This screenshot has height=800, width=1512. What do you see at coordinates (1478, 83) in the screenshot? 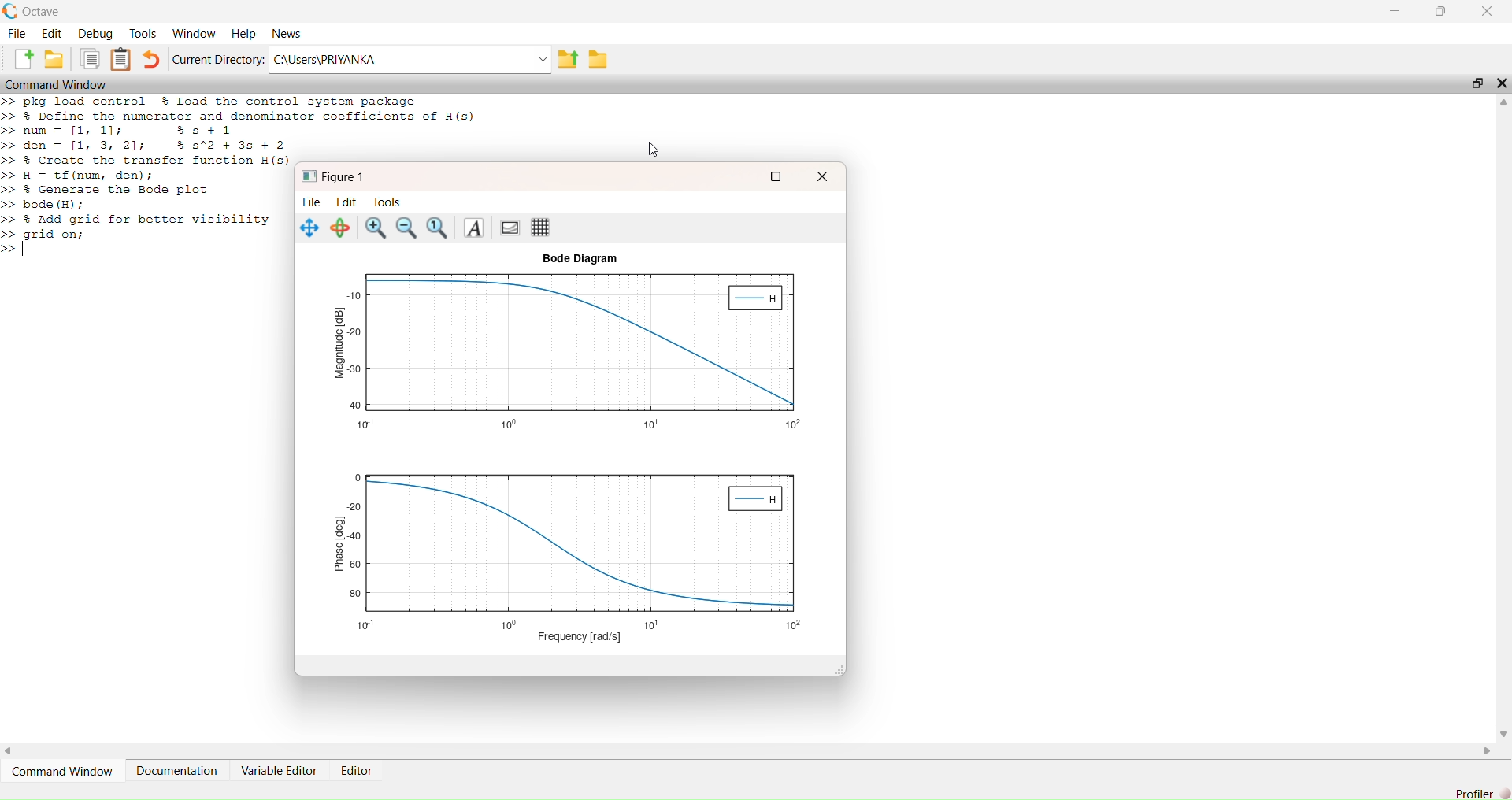
I see `restore` at bounding box center [1478, 83].